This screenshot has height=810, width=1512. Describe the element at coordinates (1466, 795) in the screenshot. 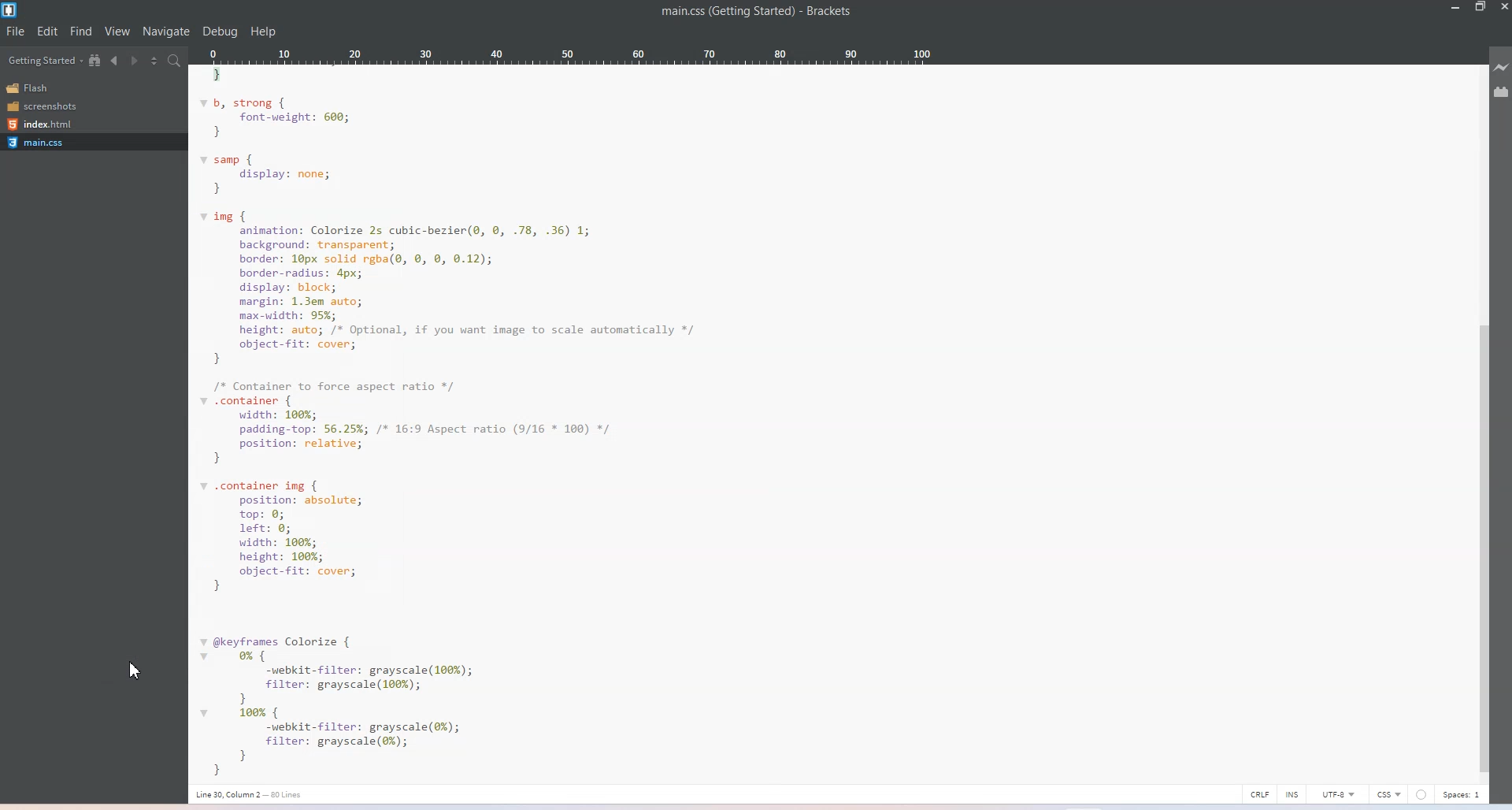

I see `Spaces 4` at that location.